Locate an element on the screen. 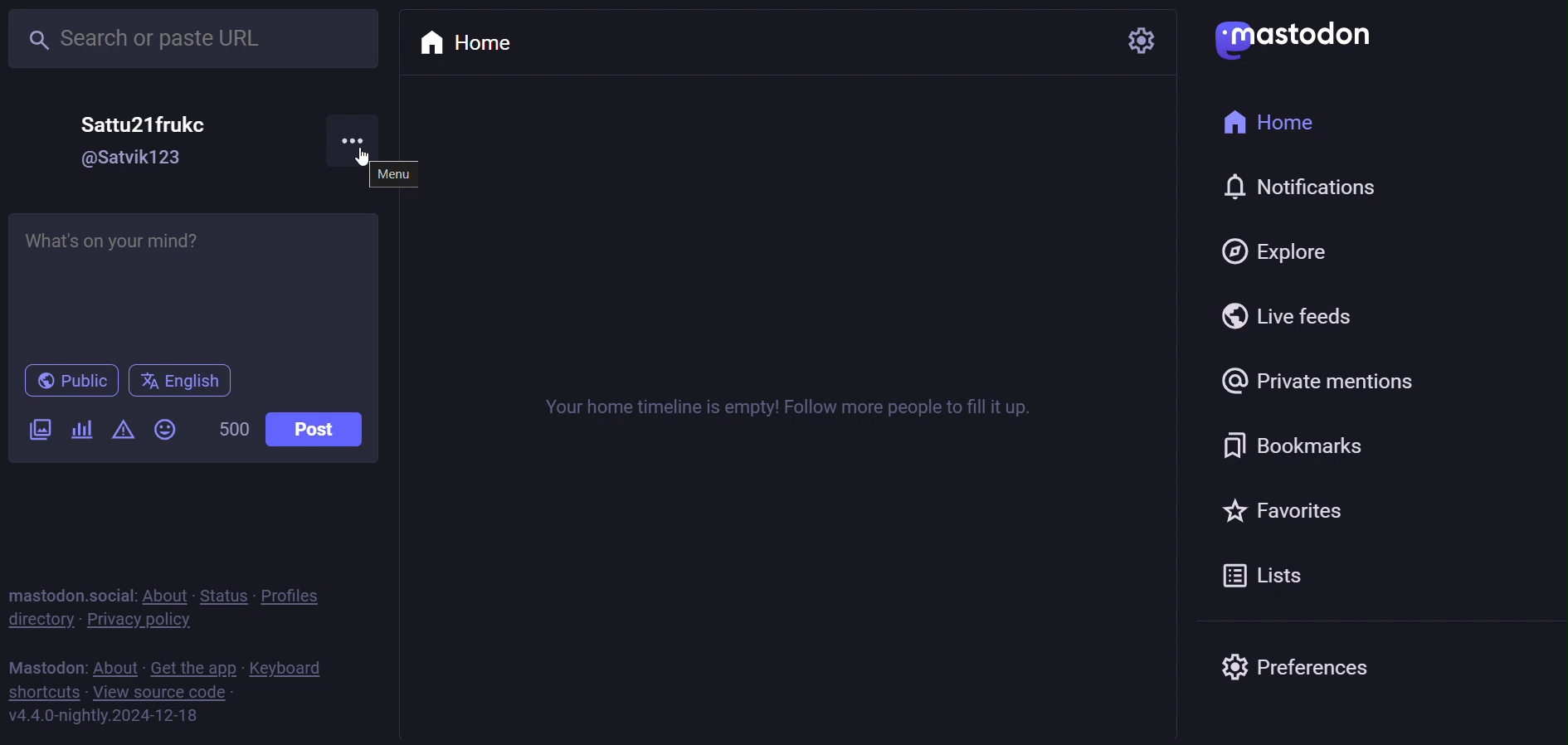 This screenshot has height=745, width=1568. english is located at coordinates (178, 380).